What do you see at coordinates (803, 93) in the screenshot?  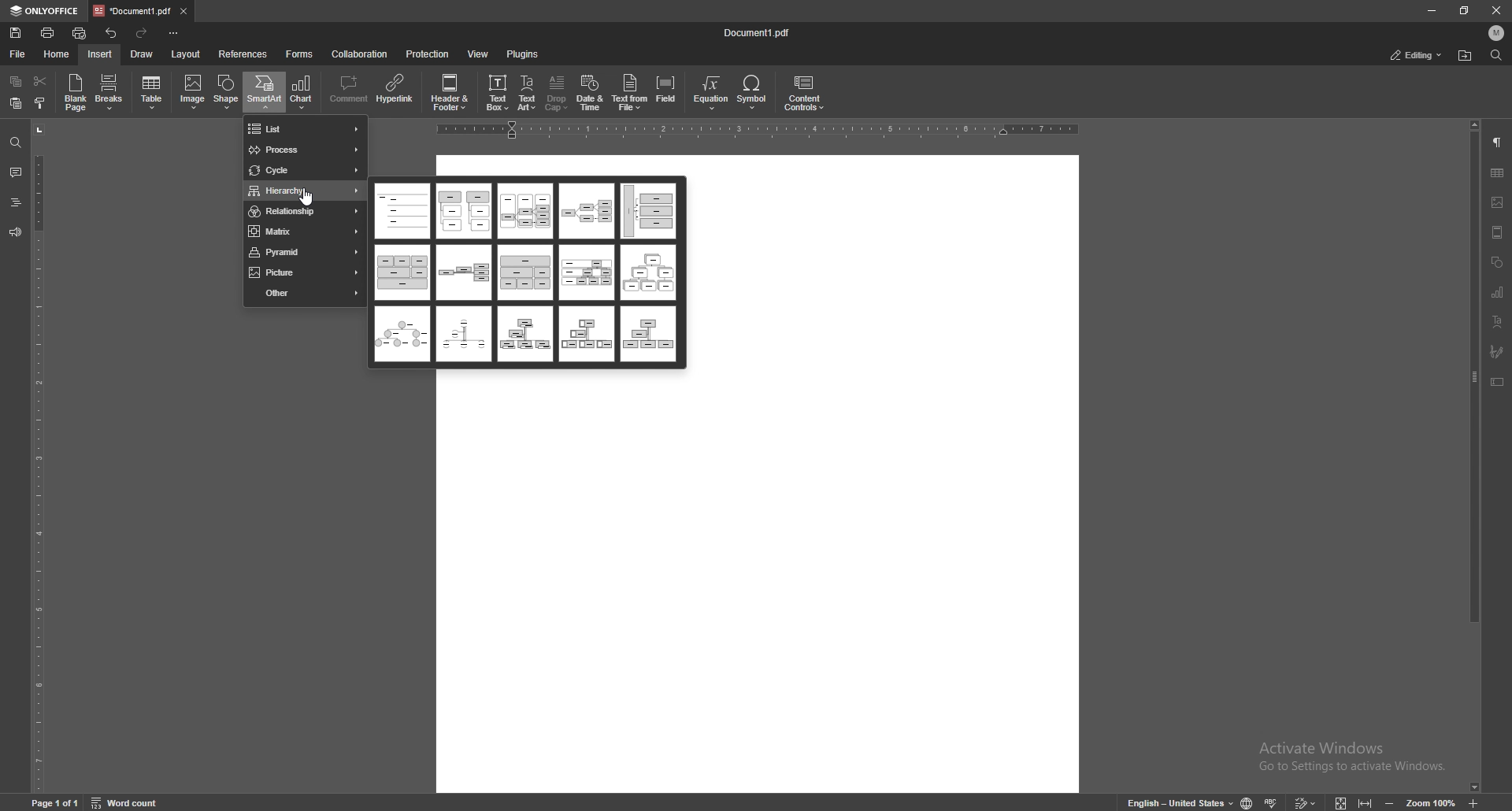 I see `content controls` at bounding box center [803, 93].